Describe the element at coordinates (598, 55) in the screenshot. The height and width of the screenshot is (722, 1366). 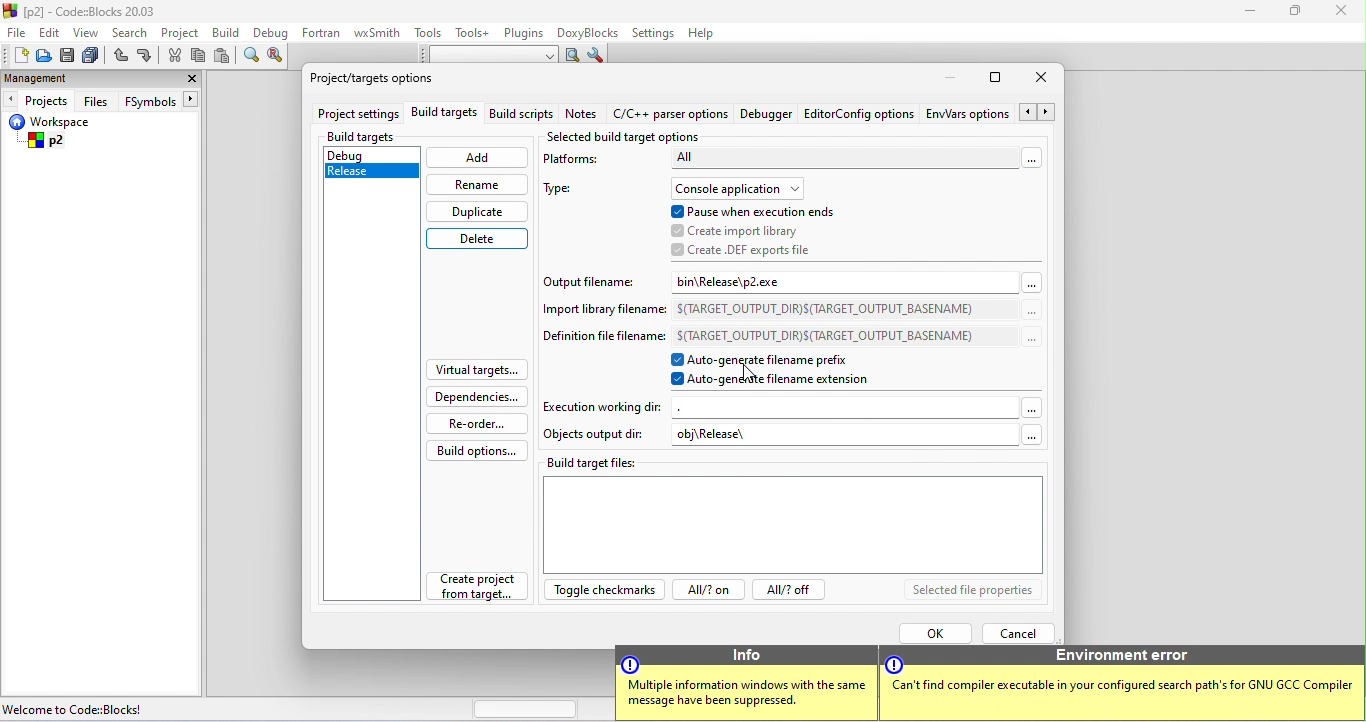
I see `show option window` at that location.